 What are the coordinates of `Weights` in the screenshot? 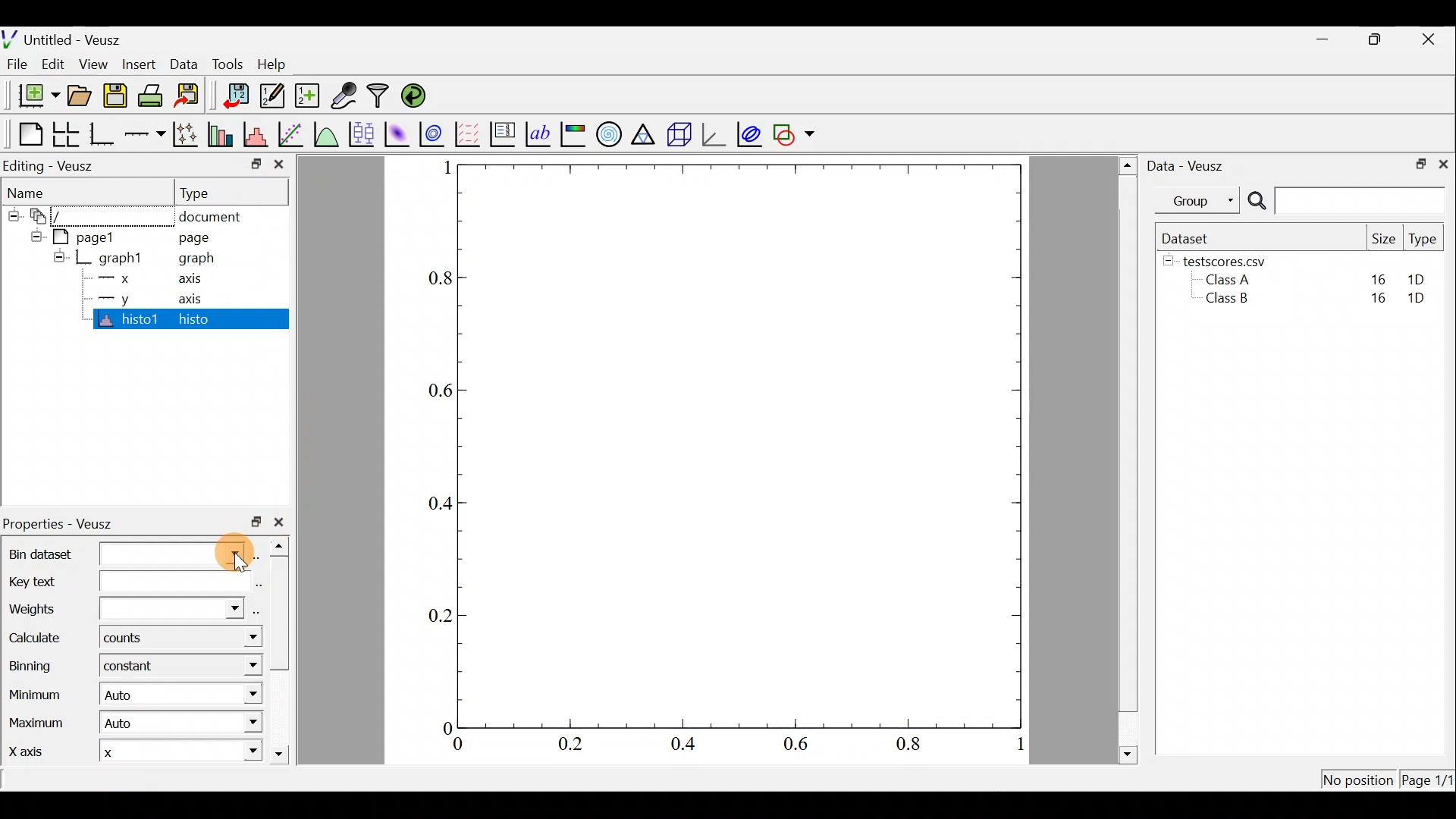 It's located at (124, 607).